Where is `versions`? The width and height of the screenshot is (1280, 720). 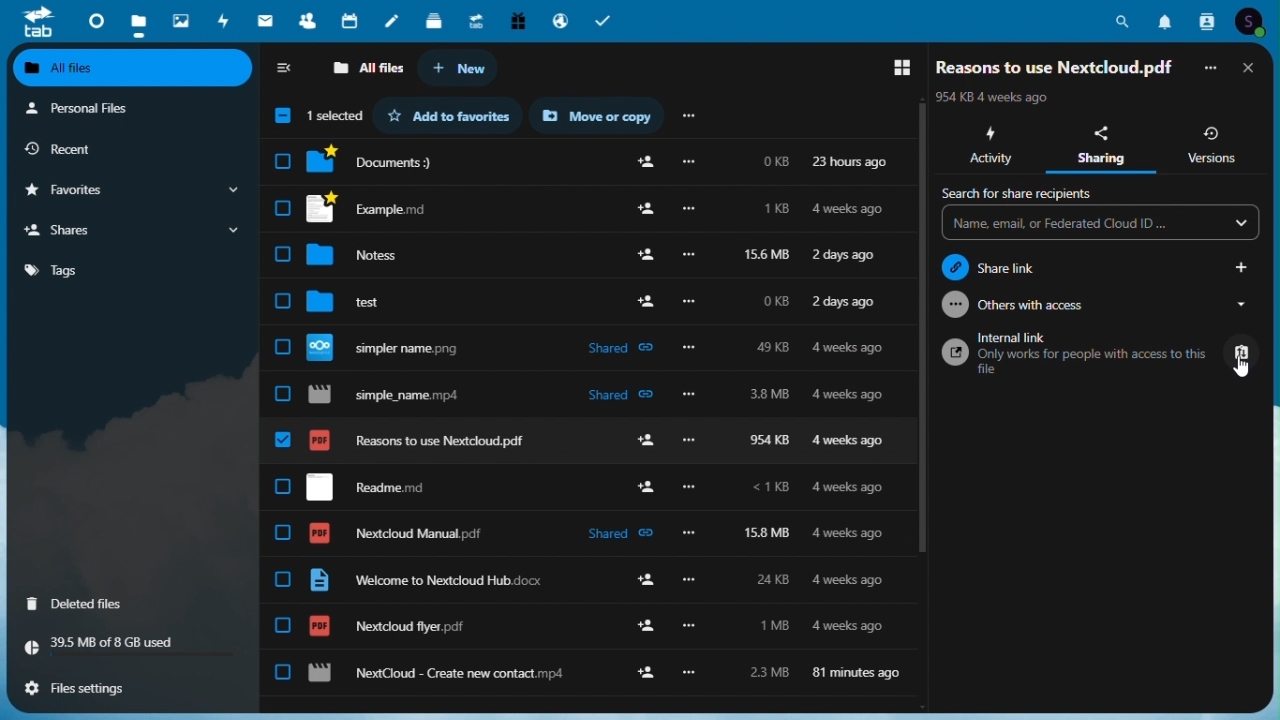 versions is located at coordinates (1214, 143).